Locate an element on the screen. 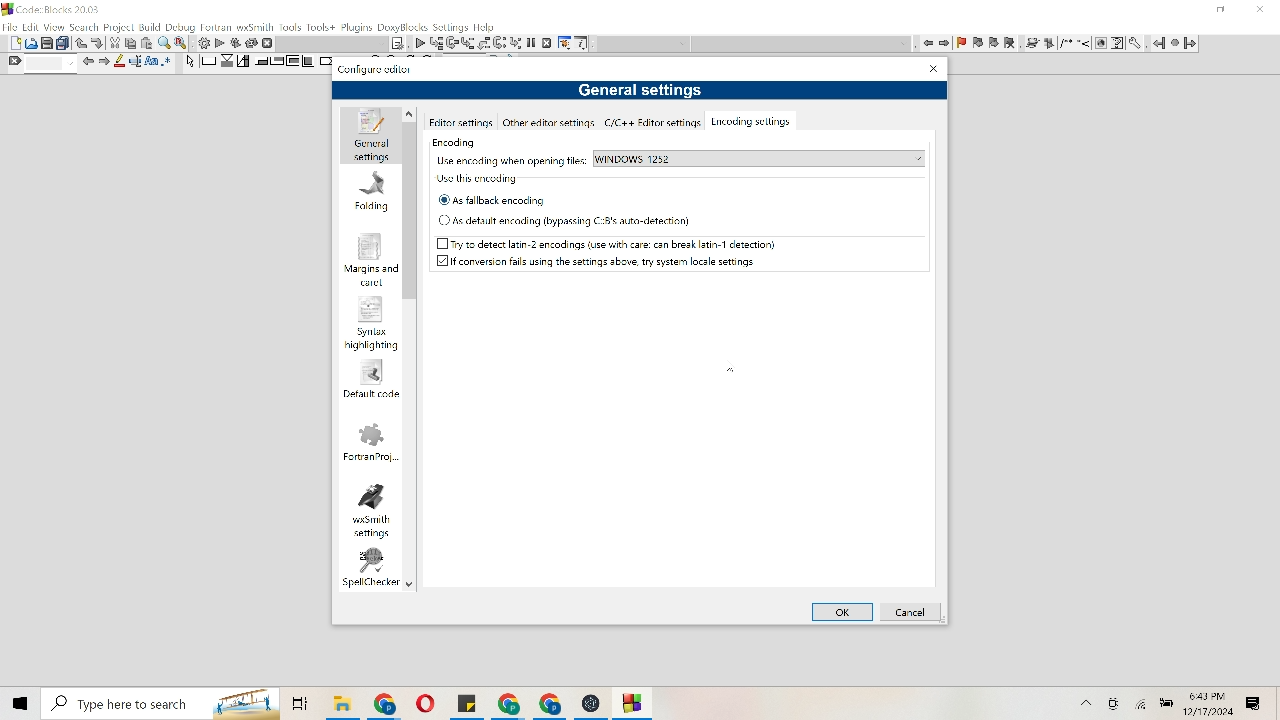  Cancel is located at coordinates (911, 612).